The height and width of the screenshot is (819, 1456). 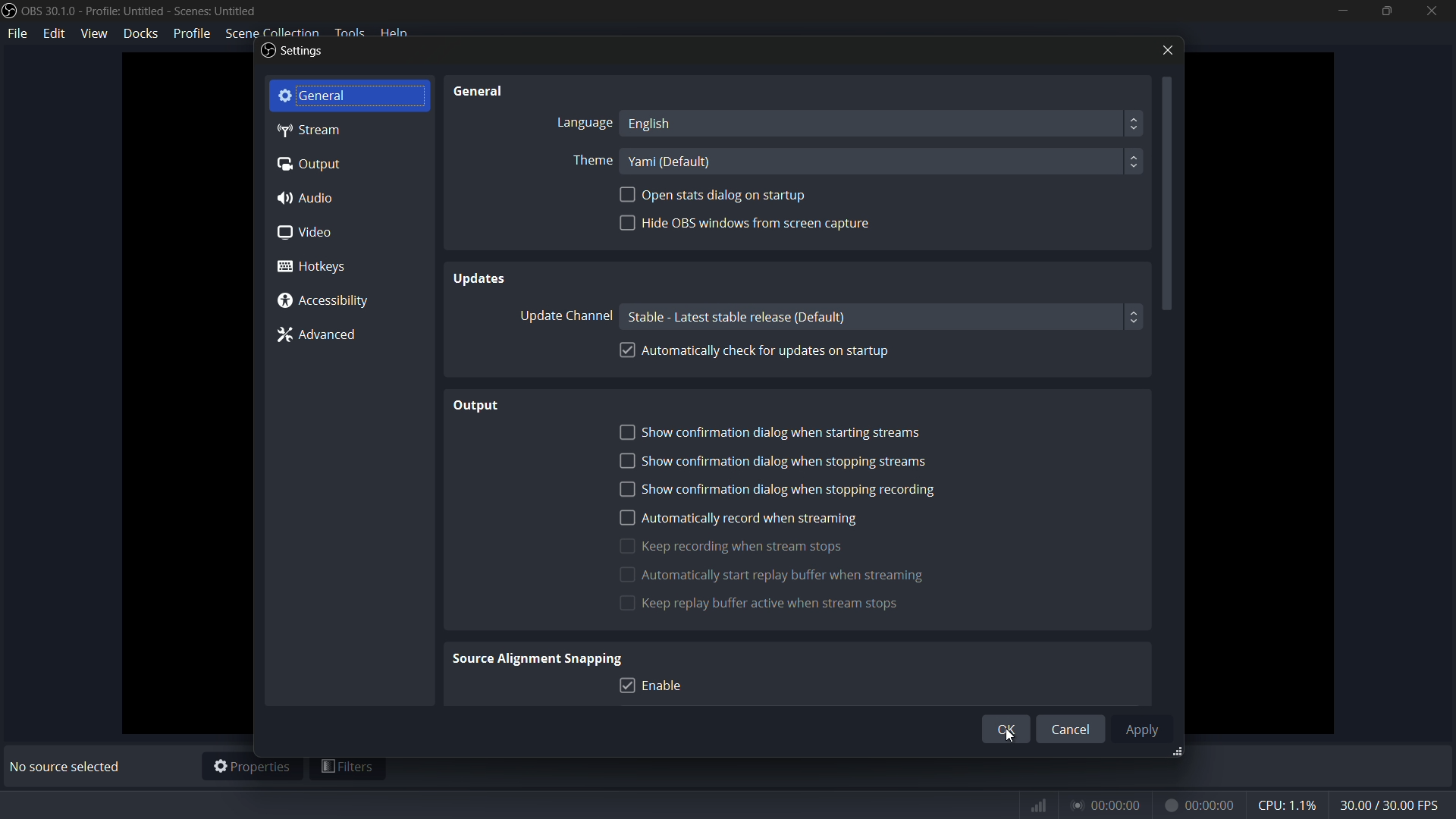 I want to click on Automatically record when streaming, so click(x=742, y=516).